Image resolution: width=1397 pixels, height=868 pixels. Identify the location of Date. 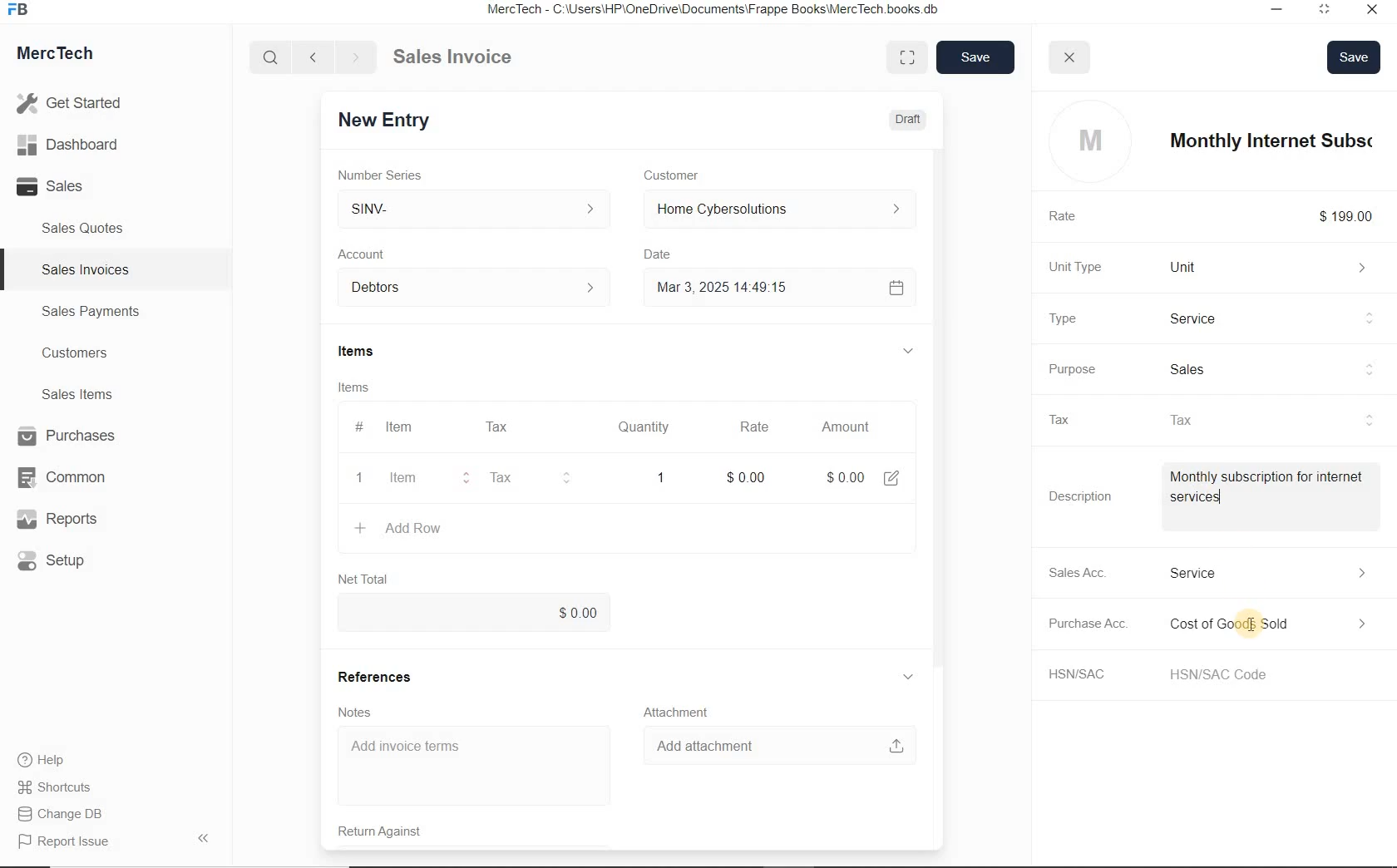
(661, 254).